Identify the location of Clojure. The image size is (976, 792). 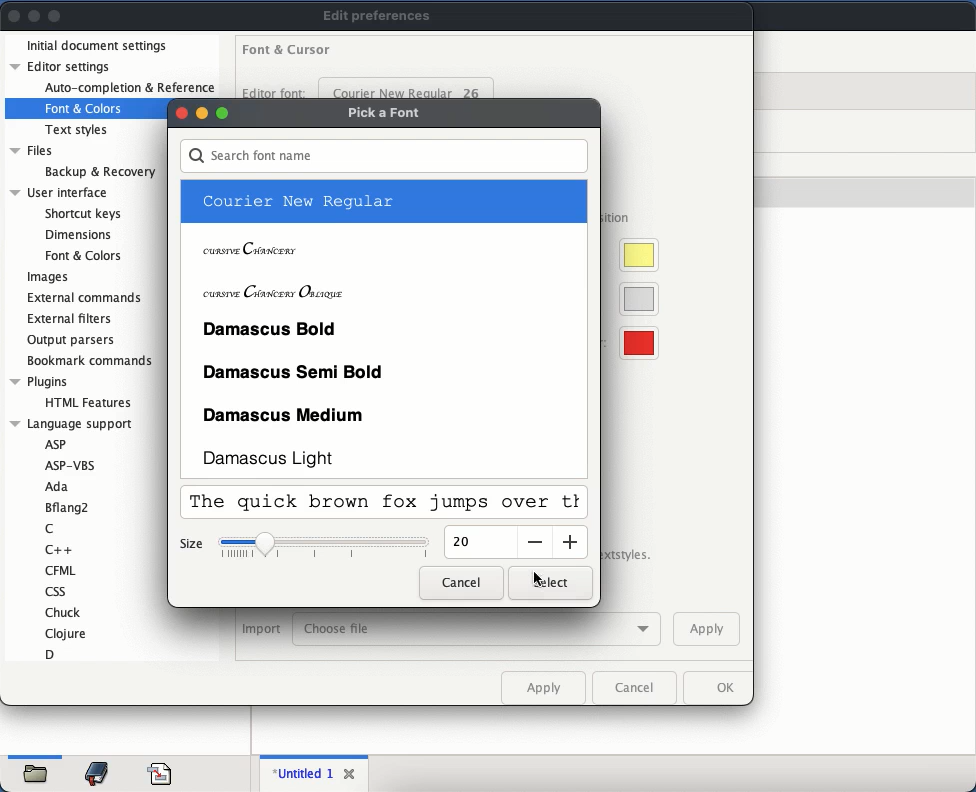
(66, 633).